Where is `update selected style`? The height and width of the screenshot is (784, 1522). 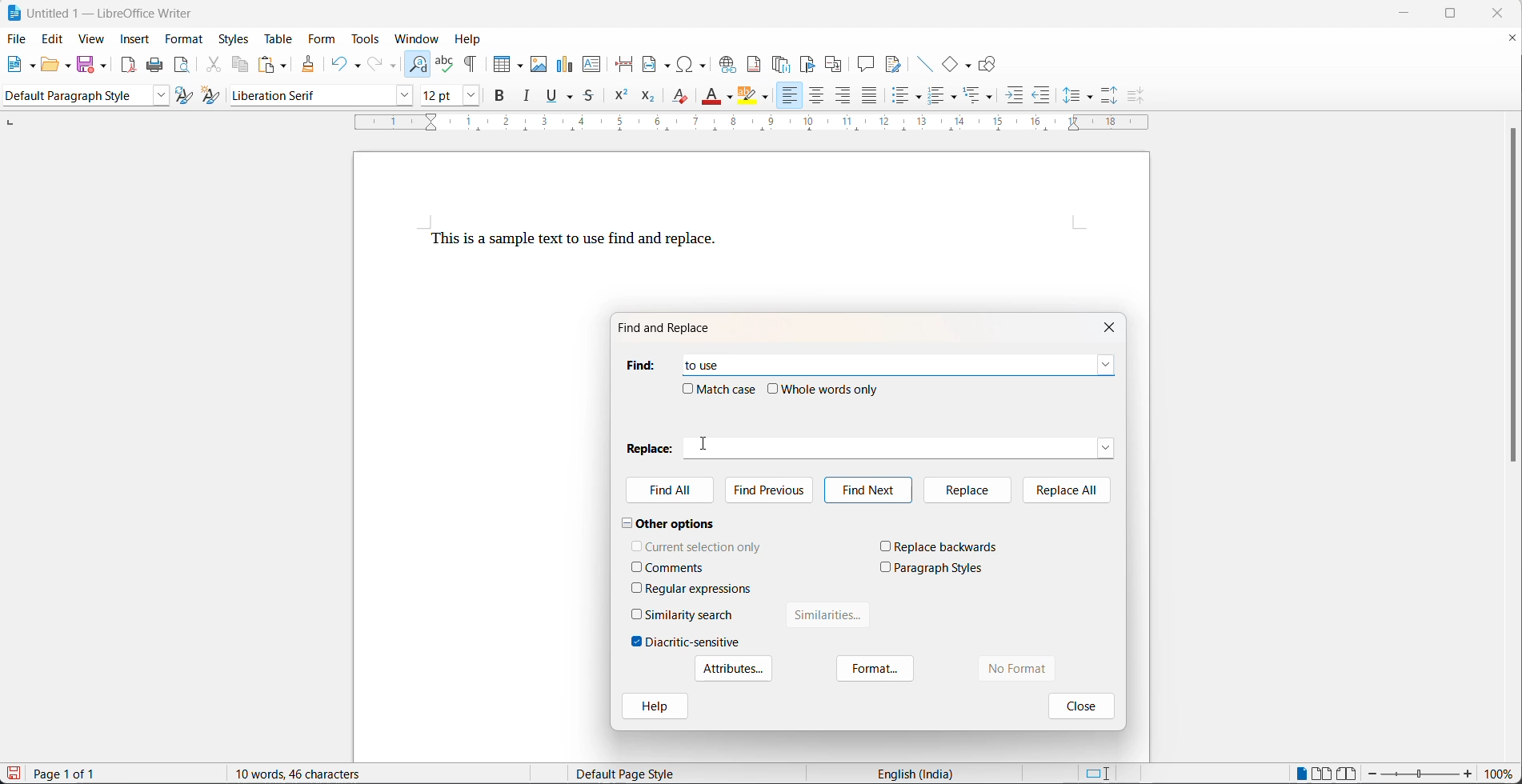 update selected style is located at coordinates (185, 96).